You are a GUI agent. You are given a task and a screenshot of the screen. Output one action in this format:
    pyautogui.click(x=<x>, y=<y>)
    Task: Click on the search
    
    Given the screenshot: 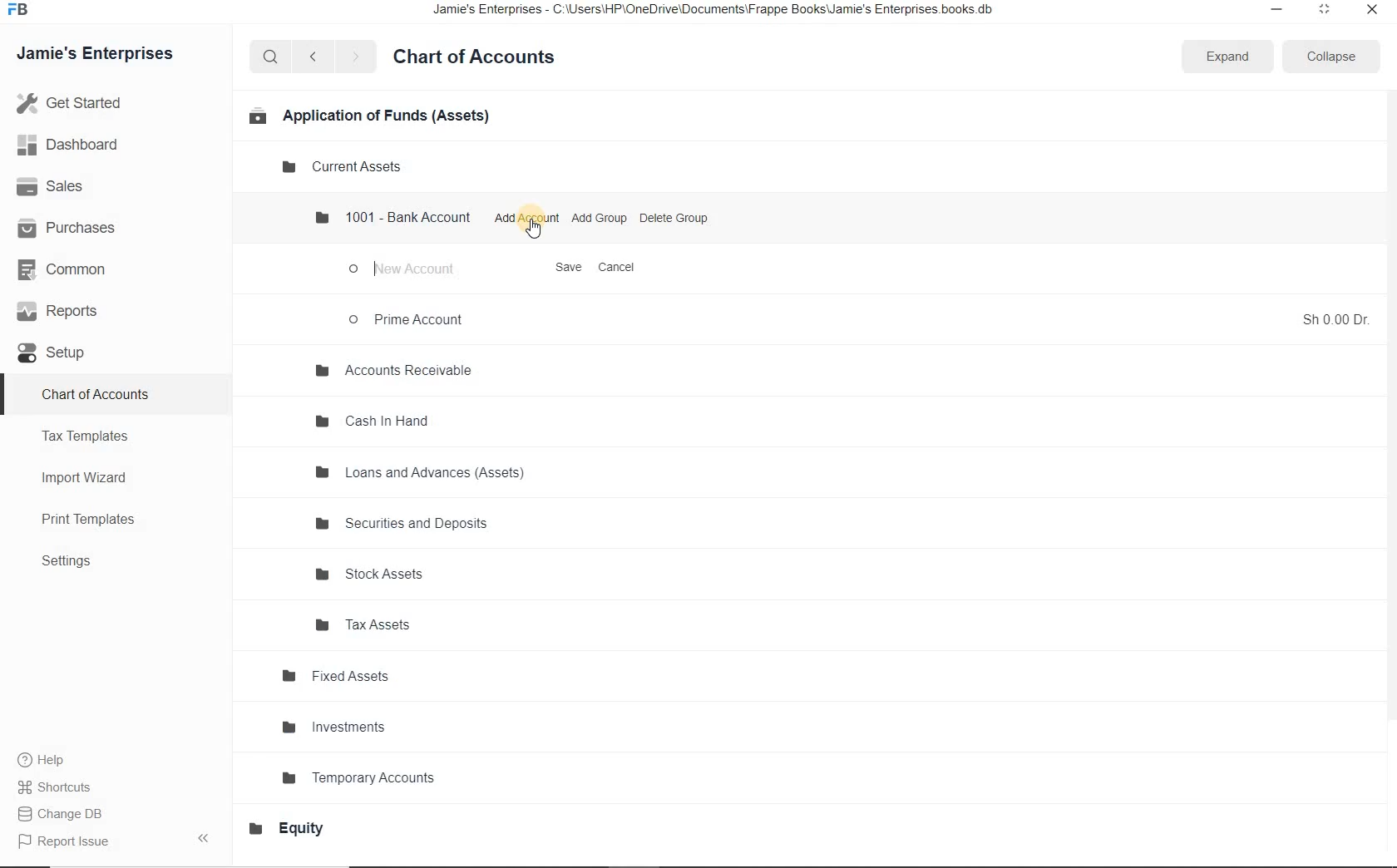 What is the action you would take?
    pyautogui.click(x=270, y=57)
    